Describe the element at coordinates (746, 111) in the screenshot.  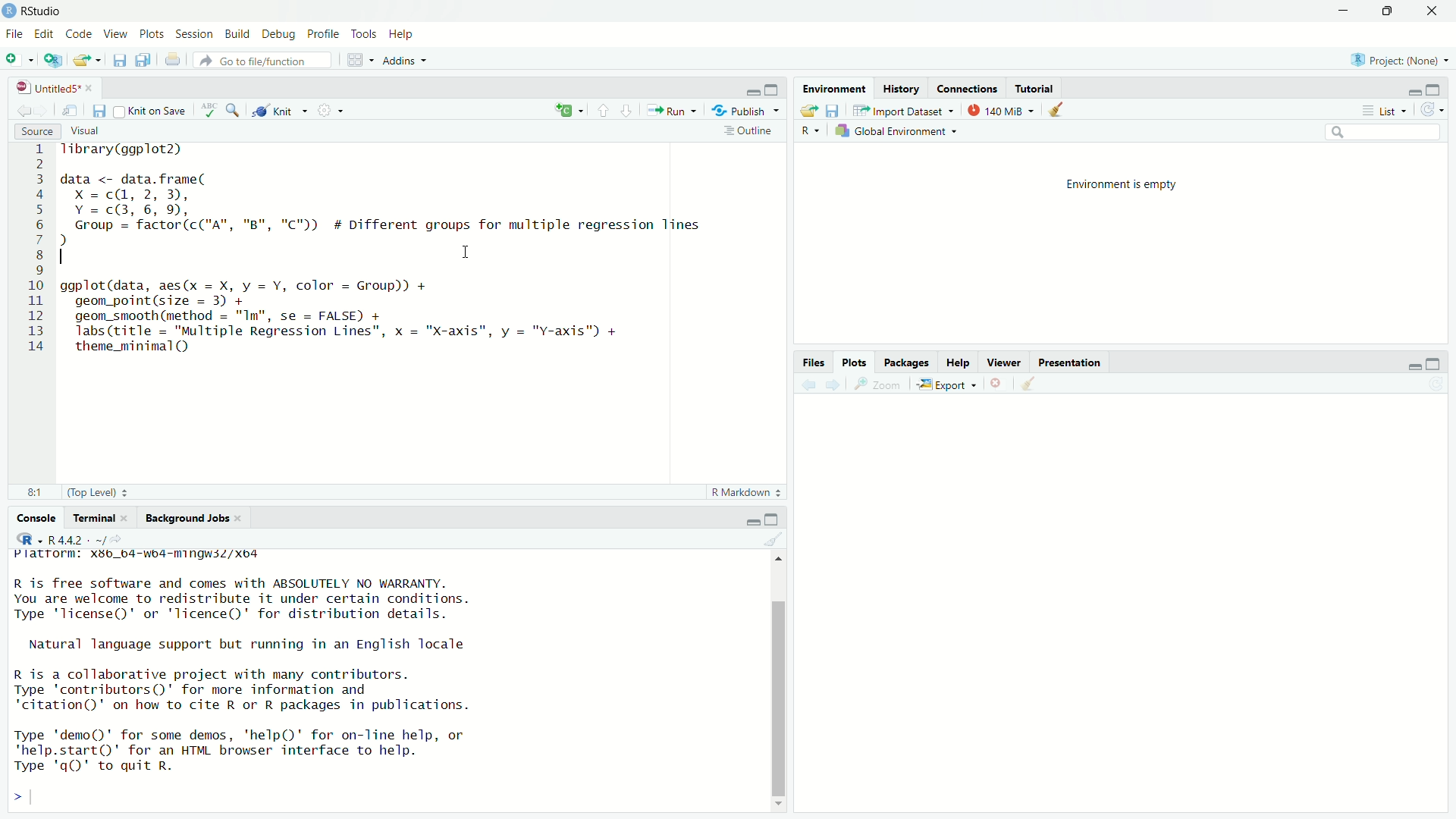
I see `Publish ~` at that location.